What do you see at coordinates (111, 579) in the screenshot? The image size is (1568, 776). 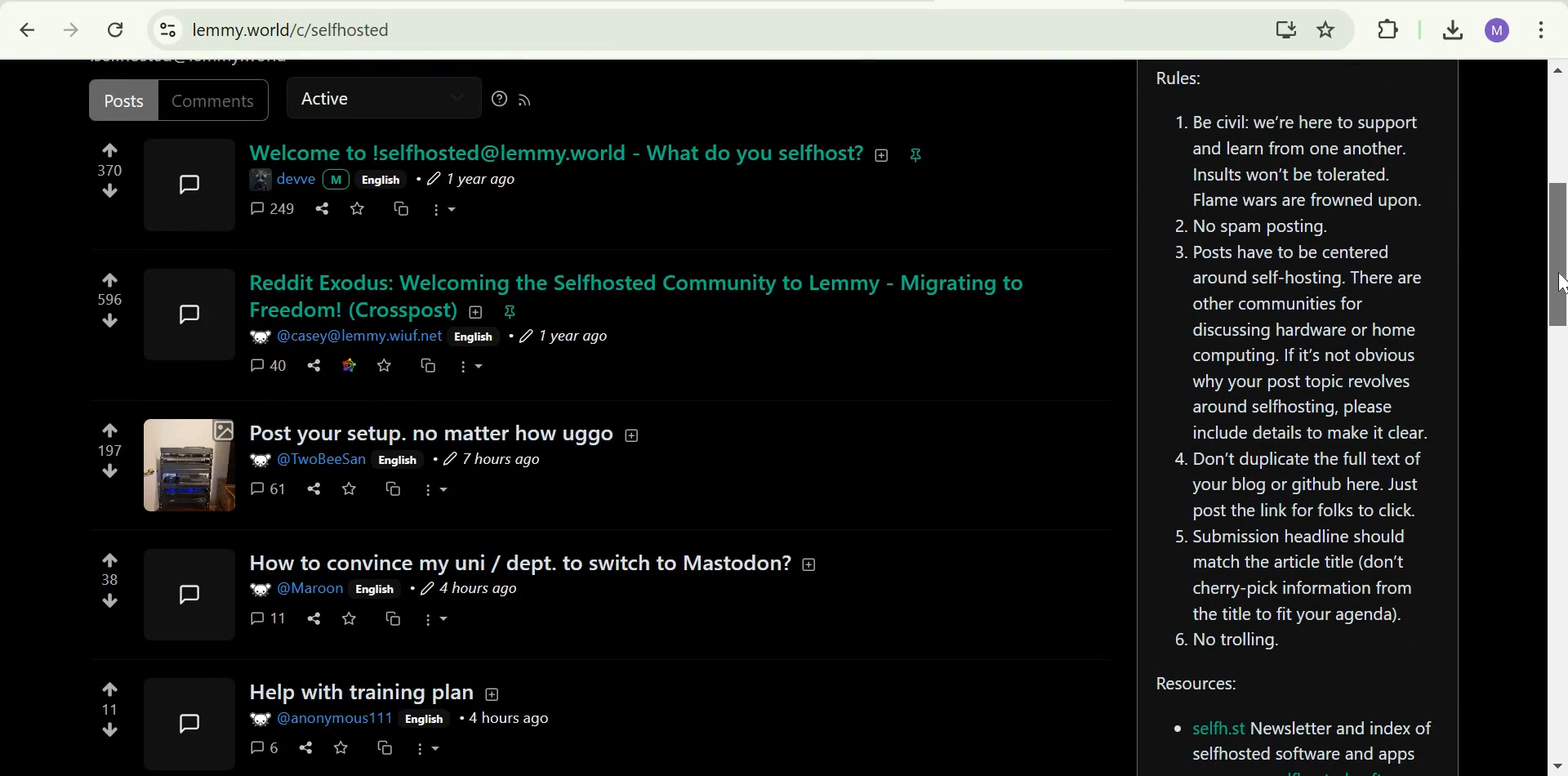 I see `38 points` at bounding box center [111, 579].